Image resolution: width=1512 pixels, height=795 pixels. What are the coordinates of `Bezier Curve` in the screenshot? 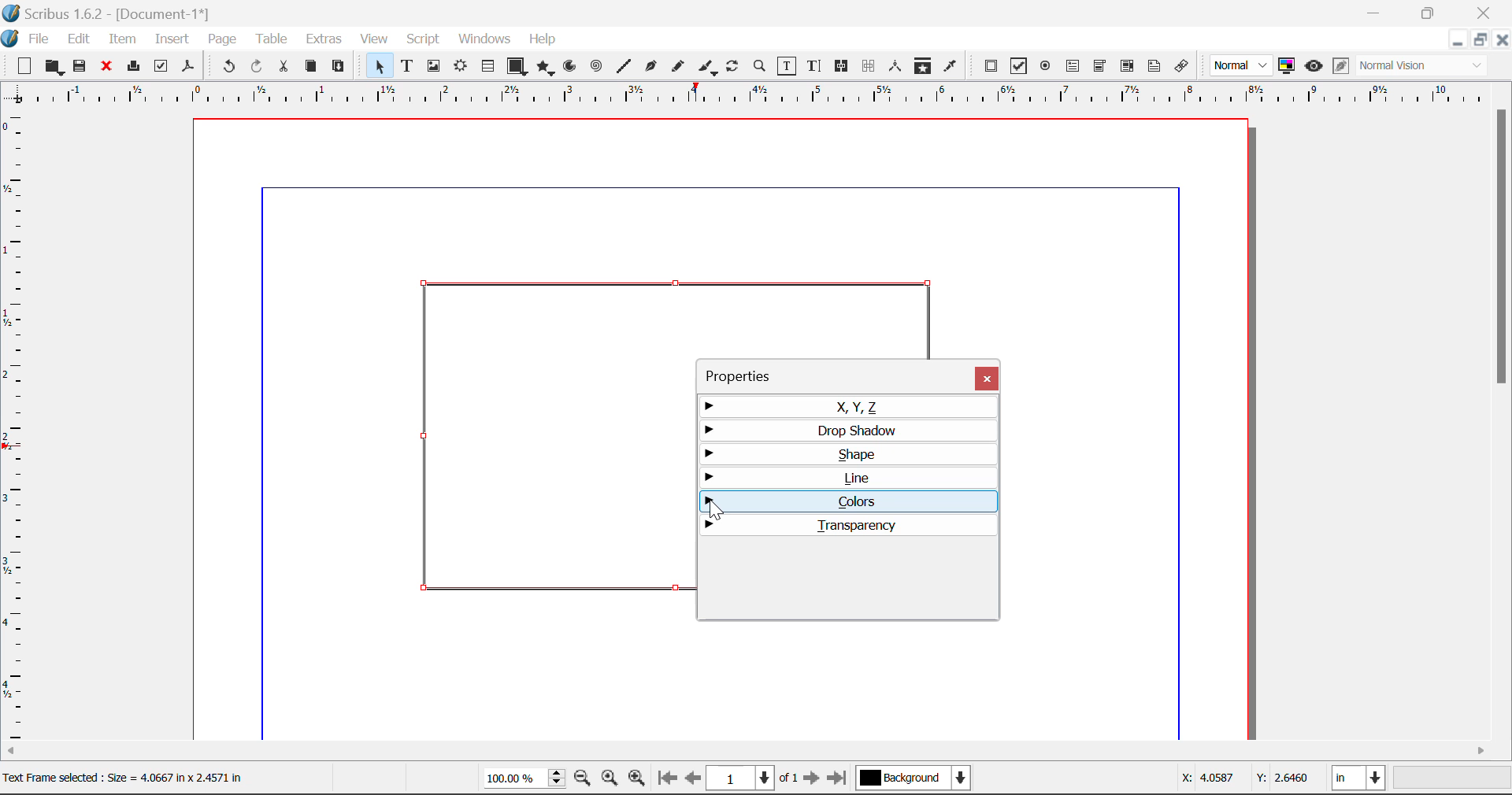 It's located at (649, 66).